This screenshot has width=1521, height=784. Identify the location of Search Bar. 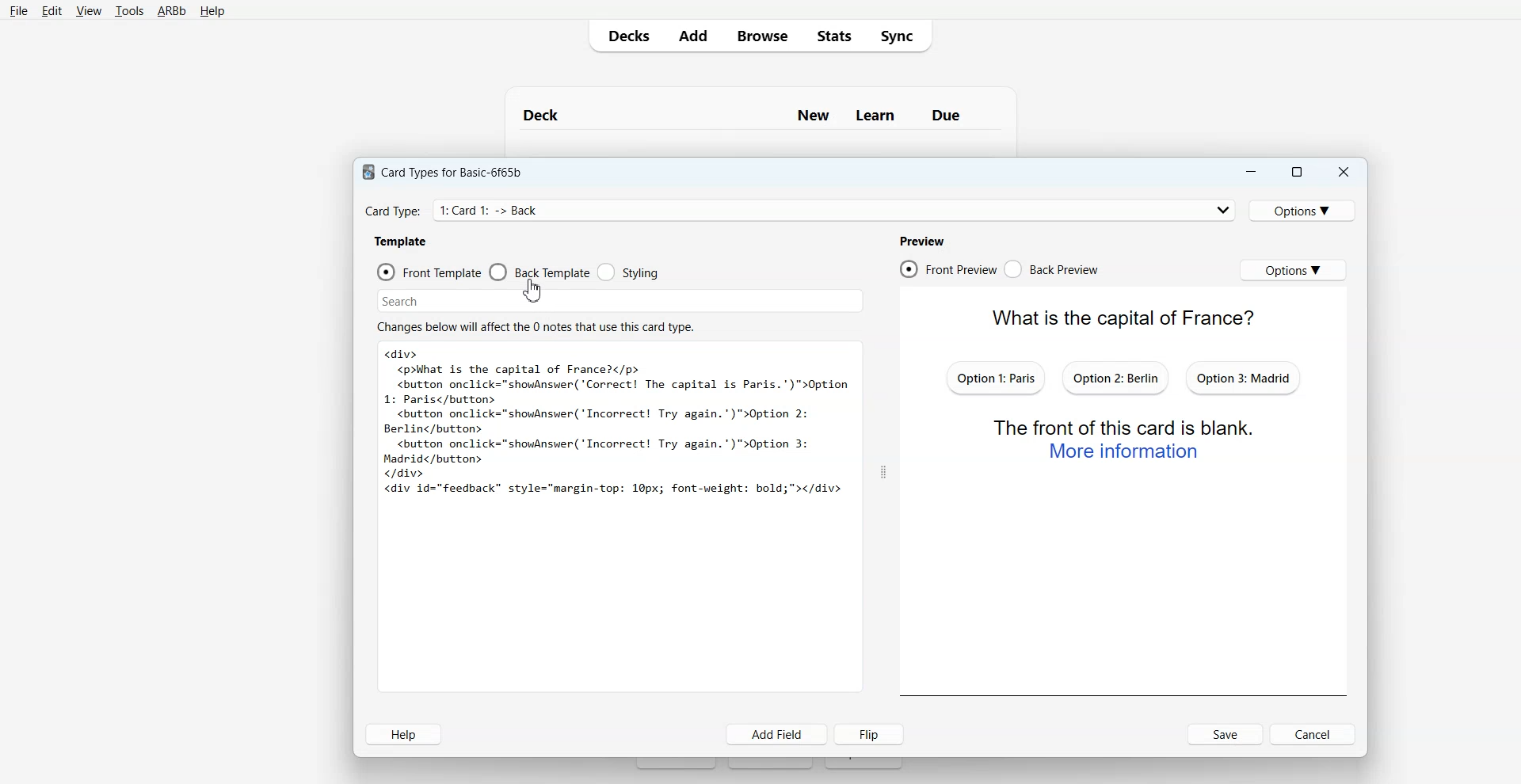
(621, 299).